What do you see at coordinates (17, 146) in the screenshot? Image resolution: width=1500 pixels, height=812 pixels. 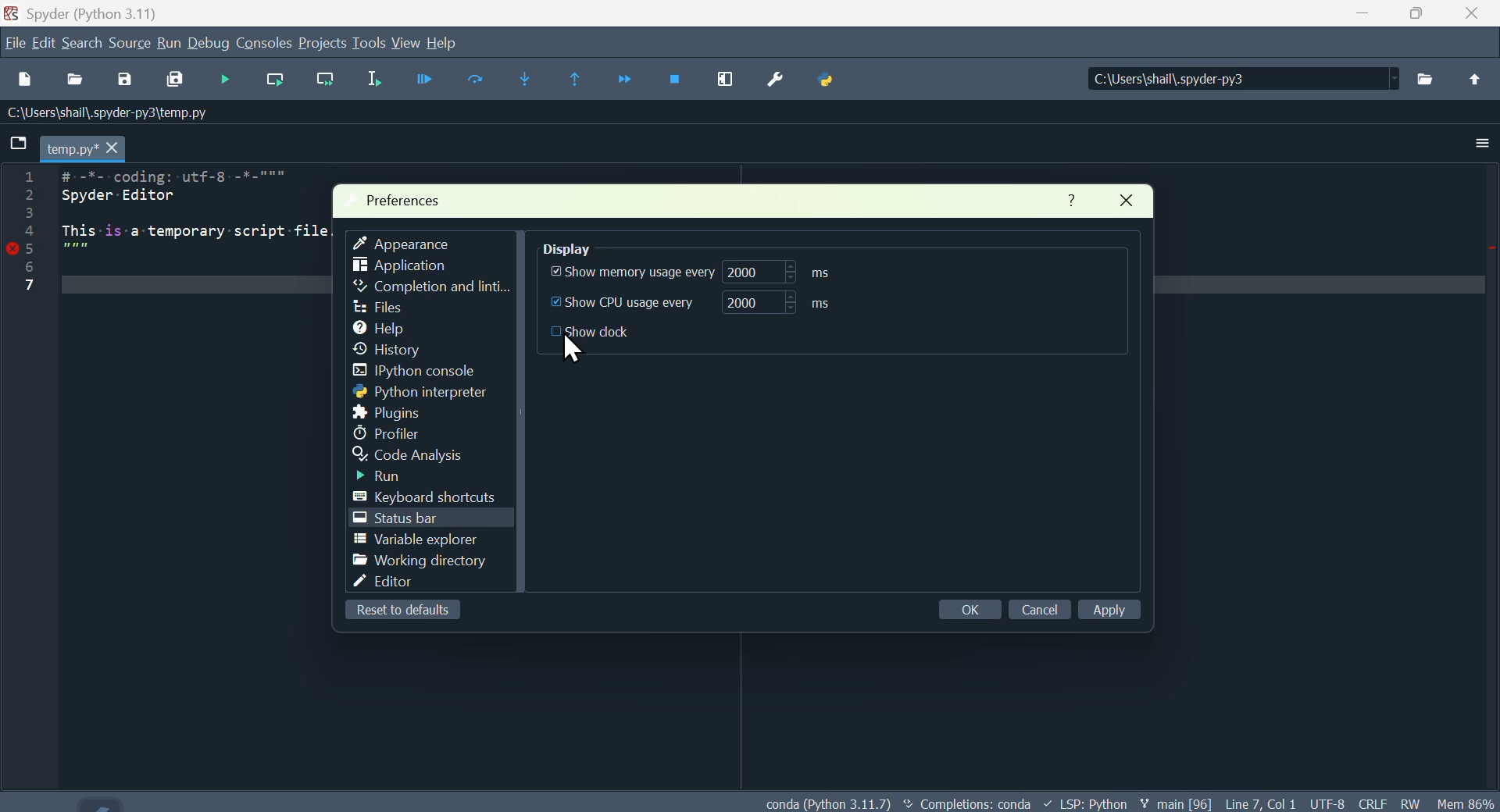 I see `folder` at bounding box center [17, 146].